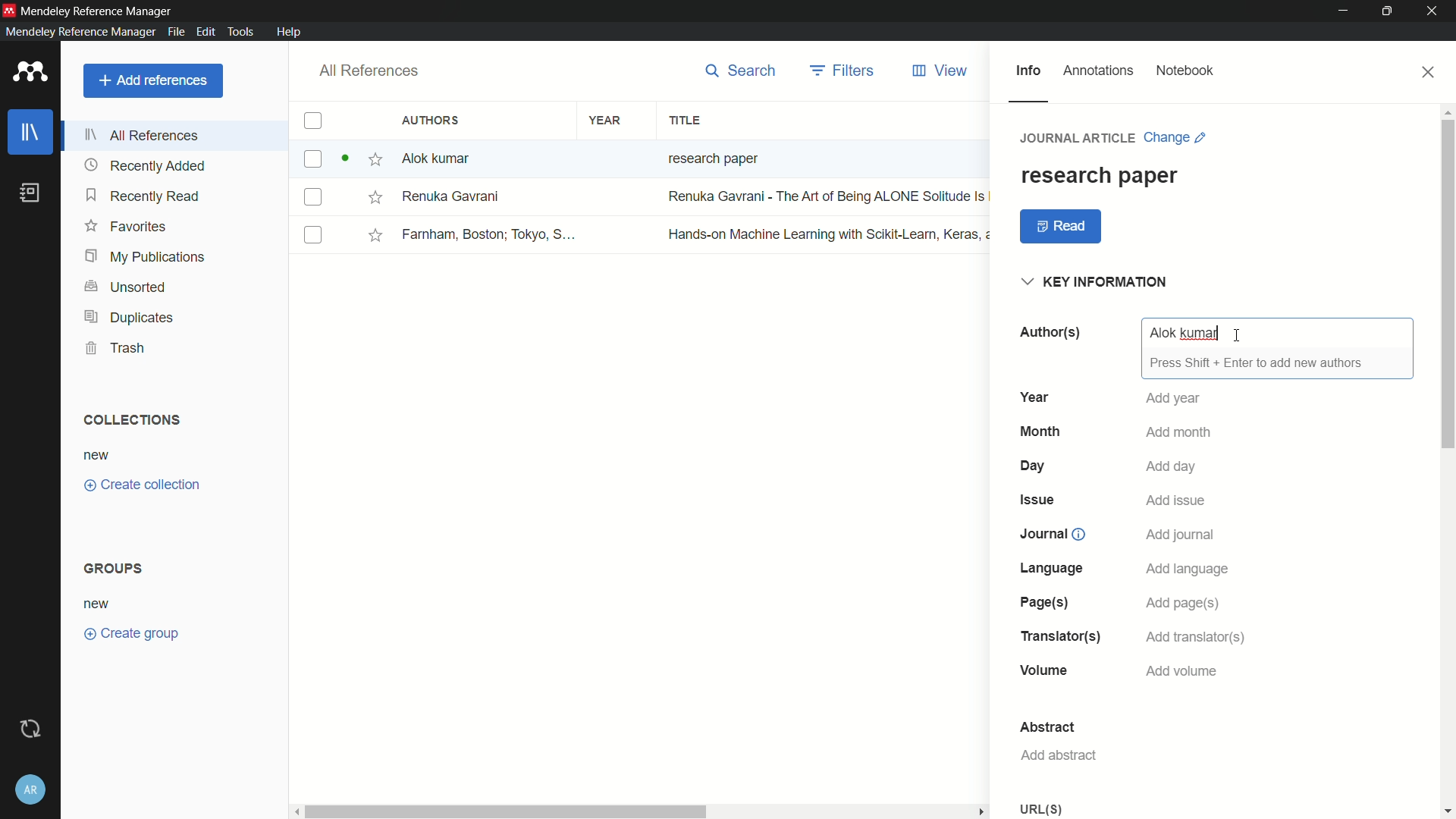 The image size is (1456, 819). I want to click on add year, so click(1175, 399).